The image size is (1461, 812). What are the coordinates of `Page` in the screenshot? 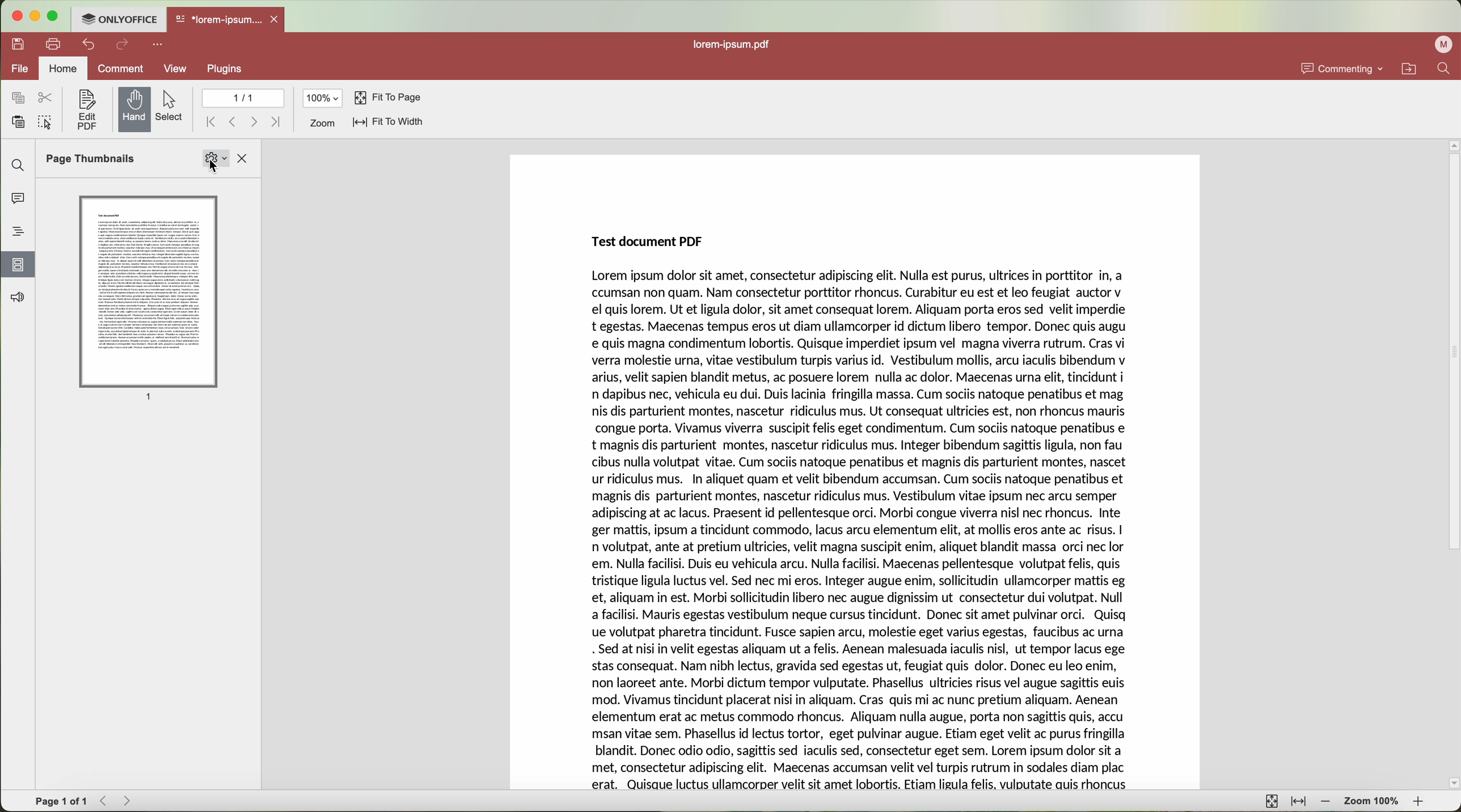 It's located at (147, 289).